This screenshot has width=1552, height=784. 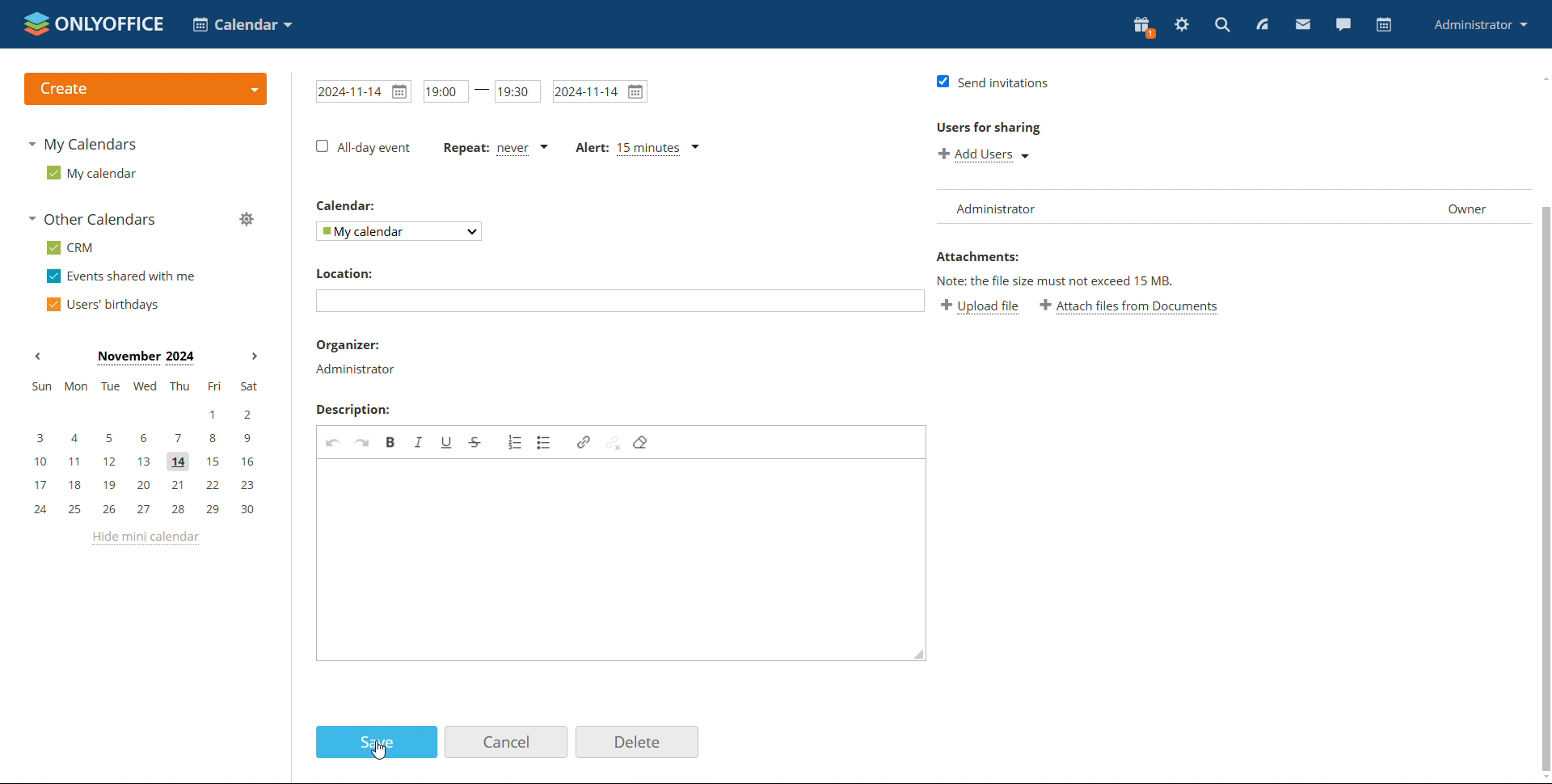 What do you see at coordinates (1546, 366) in the screenshot?
I see `scrollbar` at bounding box center [1546, 366].